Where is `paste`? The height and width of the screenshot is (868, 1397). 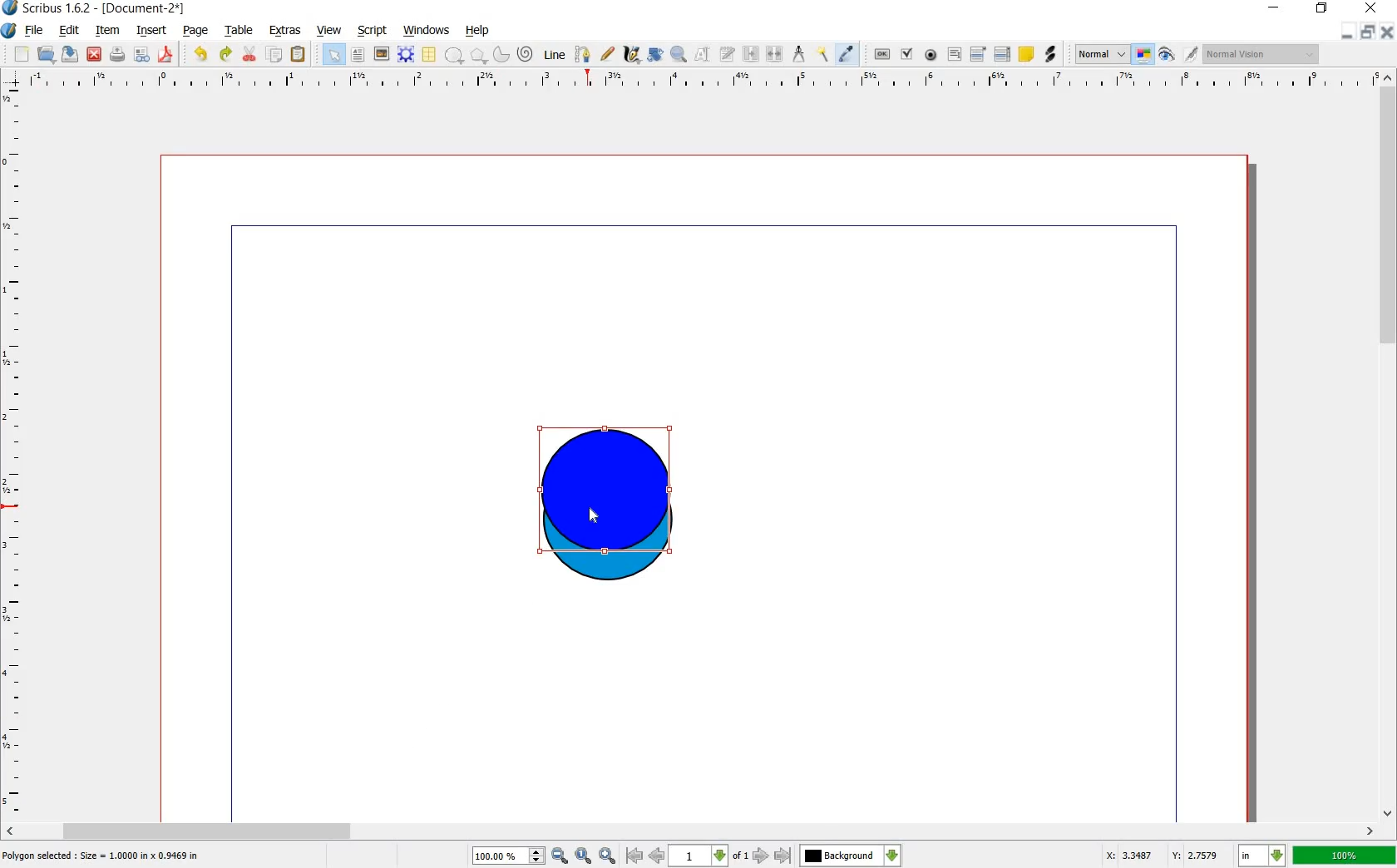 paste is located at coordinates (298, 54).